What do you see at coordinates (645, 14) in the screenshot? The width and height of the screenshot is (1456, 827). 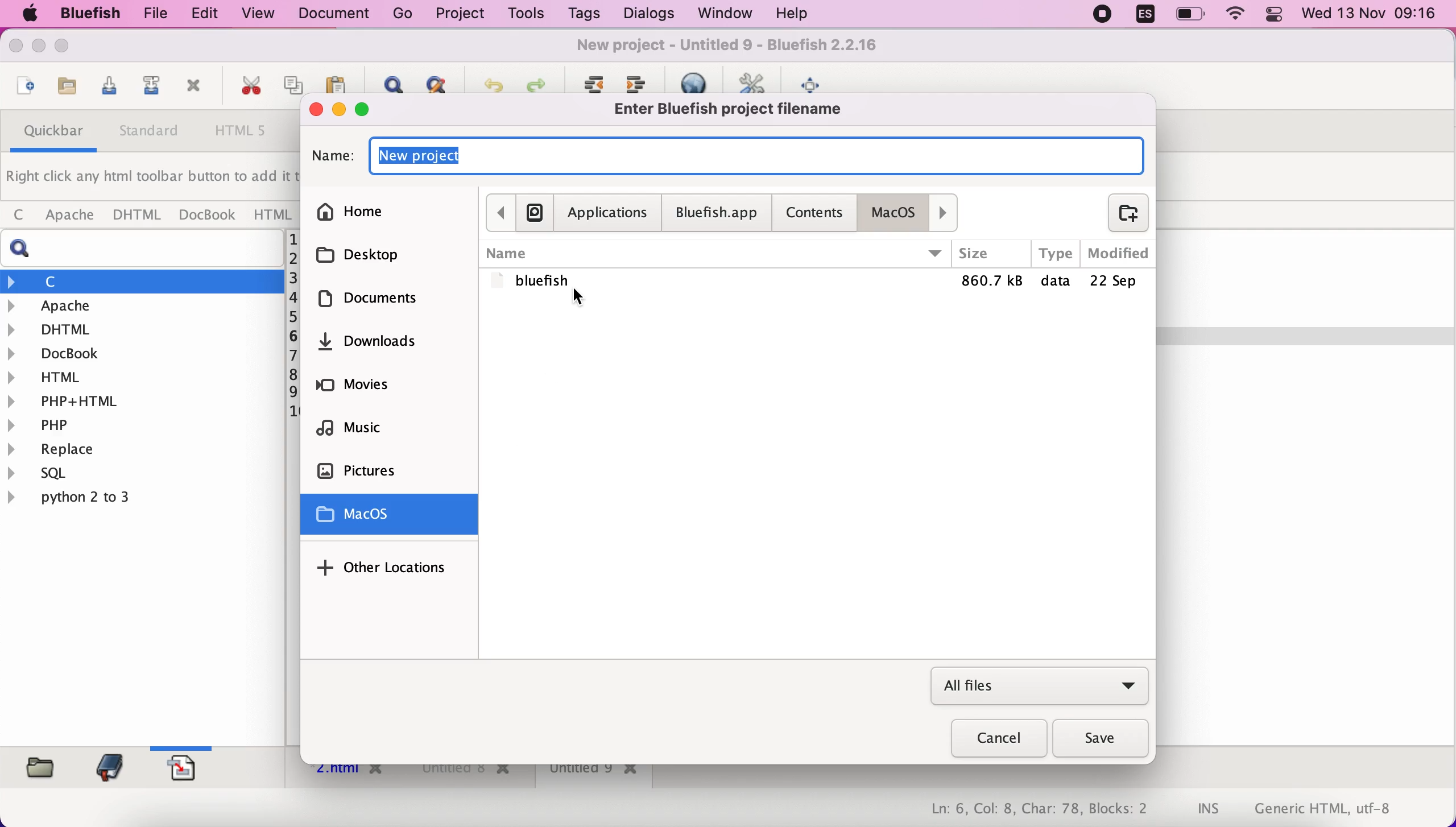 I see `dialogs` at bounding box center [645, 14].